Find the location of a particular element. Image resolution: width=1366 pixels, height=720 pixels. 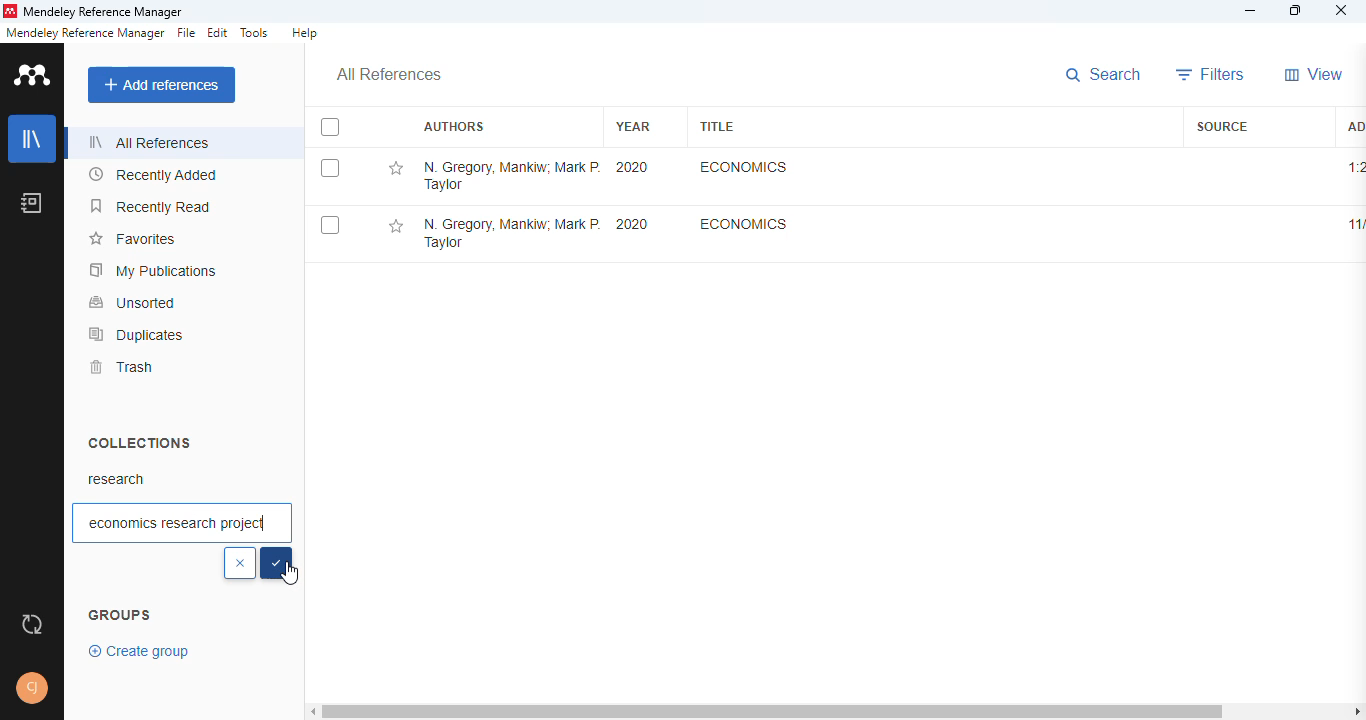

select is located at coordinates (330, 168).